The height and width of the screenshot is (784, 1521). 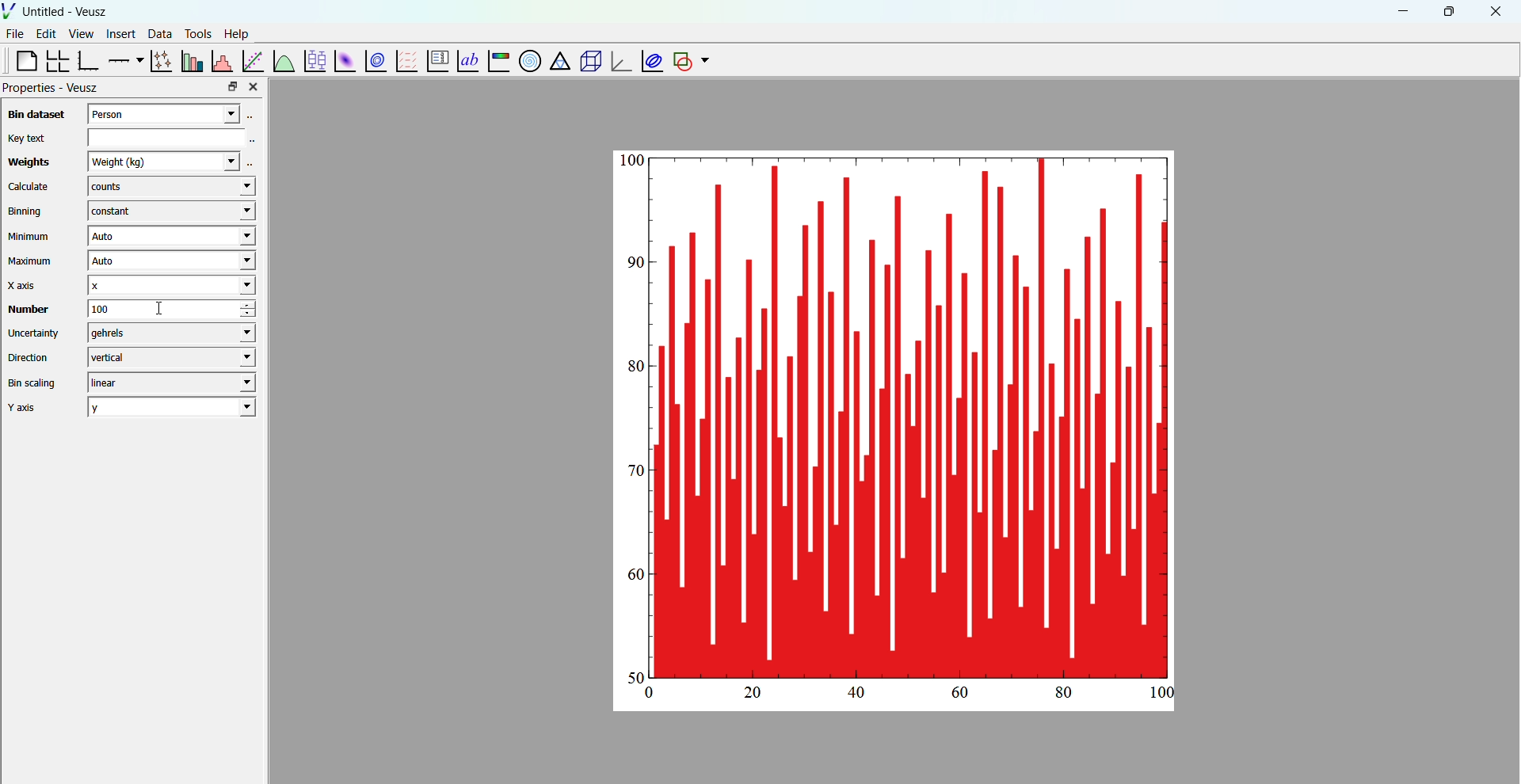 What do you see at coordinates (168, 382) in the screenshot?
I see `liner - drop down` at bounding box center [168, 382].